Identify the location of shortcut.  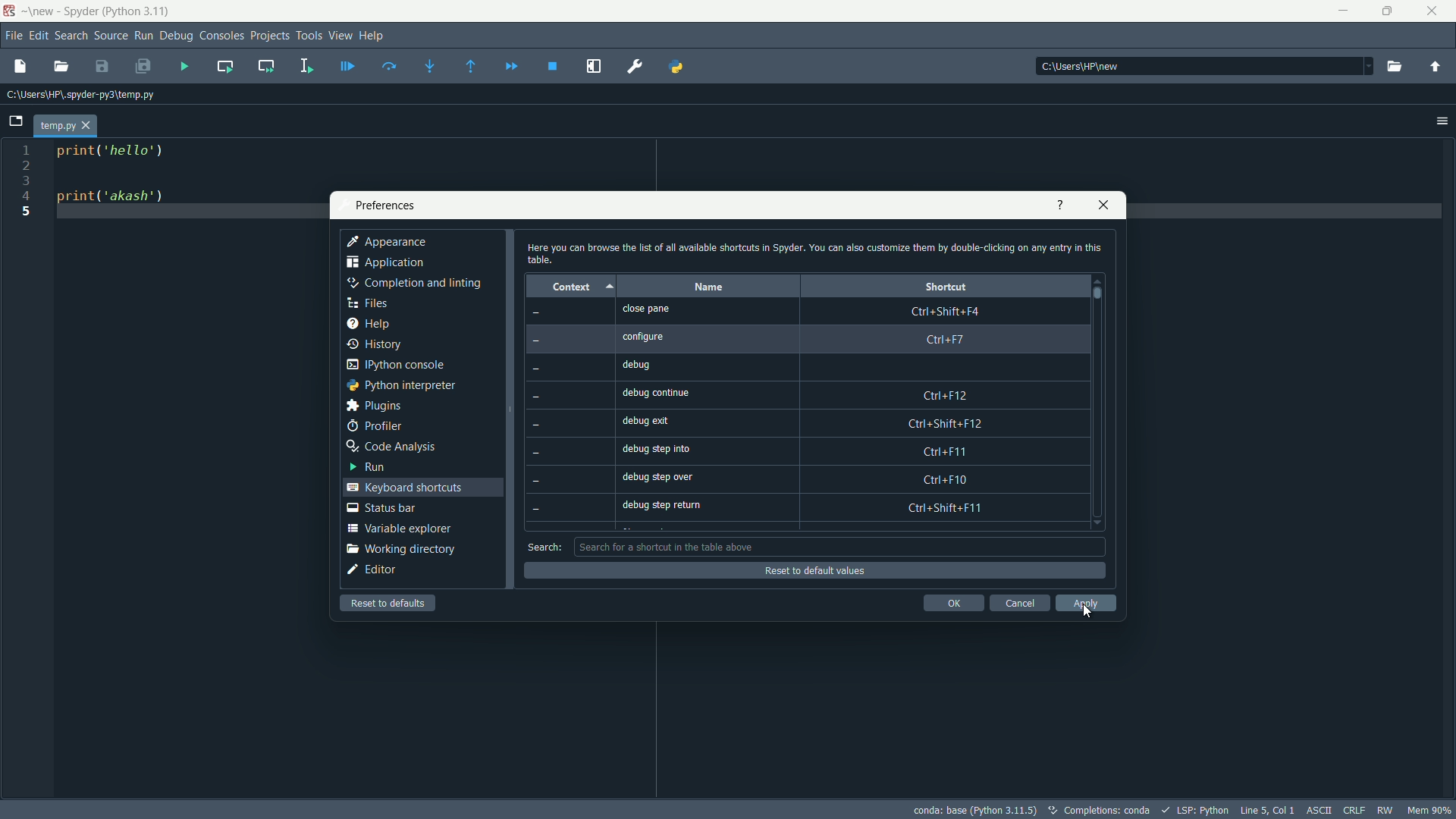
(946, 287).